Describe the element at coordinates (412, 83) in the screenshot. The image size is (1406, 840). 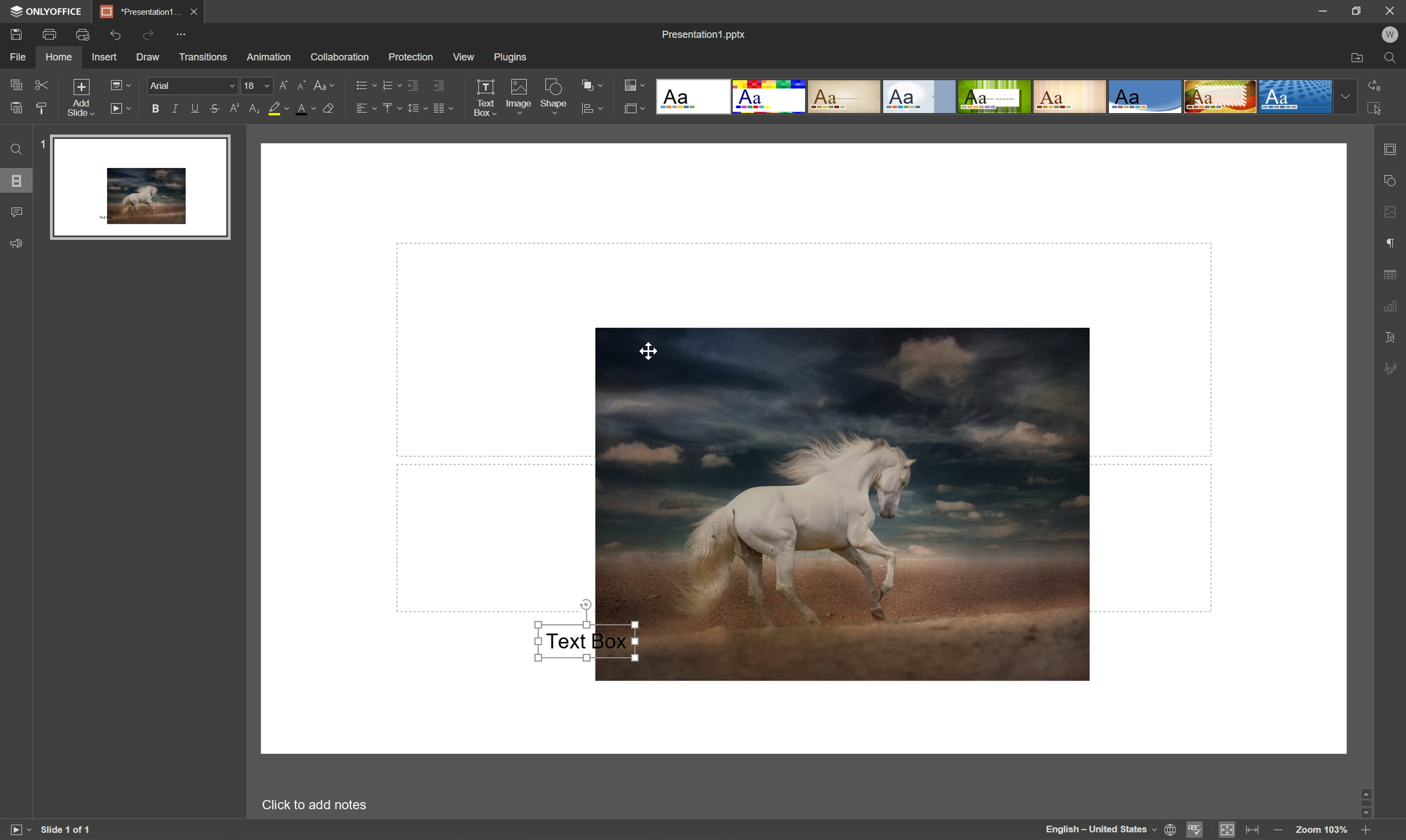
I see `Decrease indent` at that location.